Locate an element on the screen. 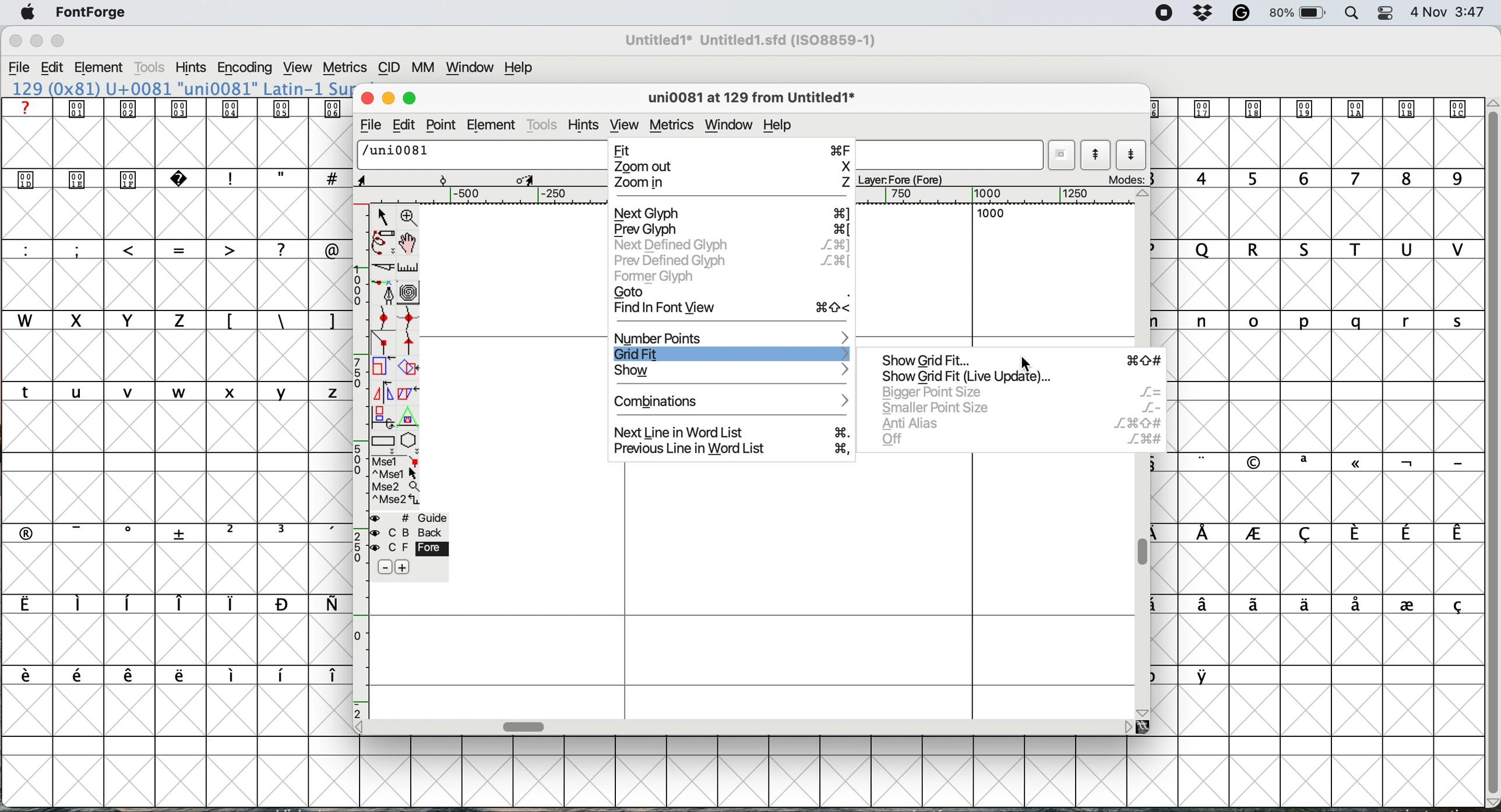  tools is located at coordinates (544, 125).